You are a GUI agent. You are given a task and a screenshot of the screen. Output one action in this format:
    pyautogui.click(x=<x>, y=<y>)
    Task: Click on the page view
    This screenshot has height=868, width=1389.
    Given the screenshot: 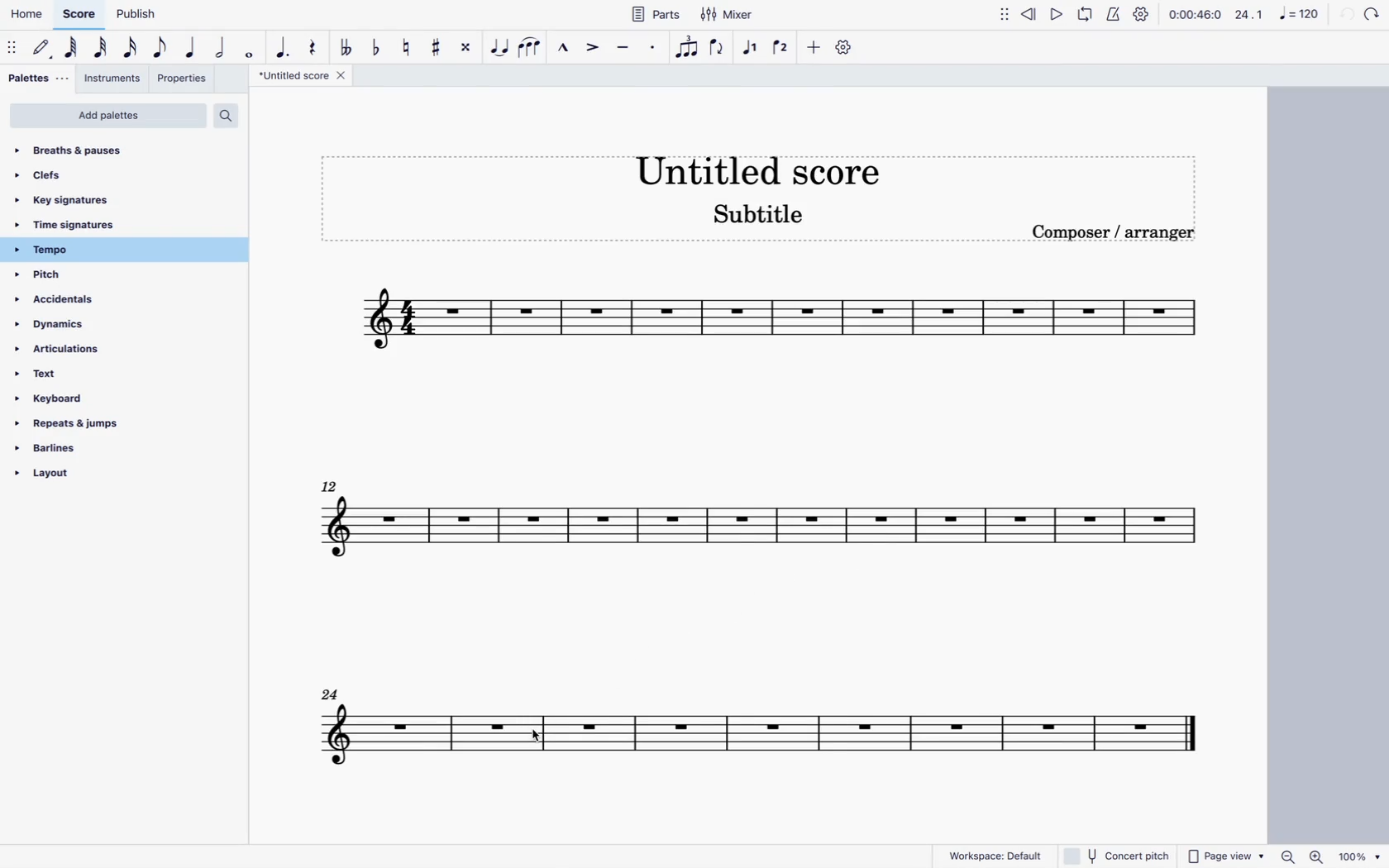 What is the action you would take?
    pyautogui.click(x=1226, y=856)
    